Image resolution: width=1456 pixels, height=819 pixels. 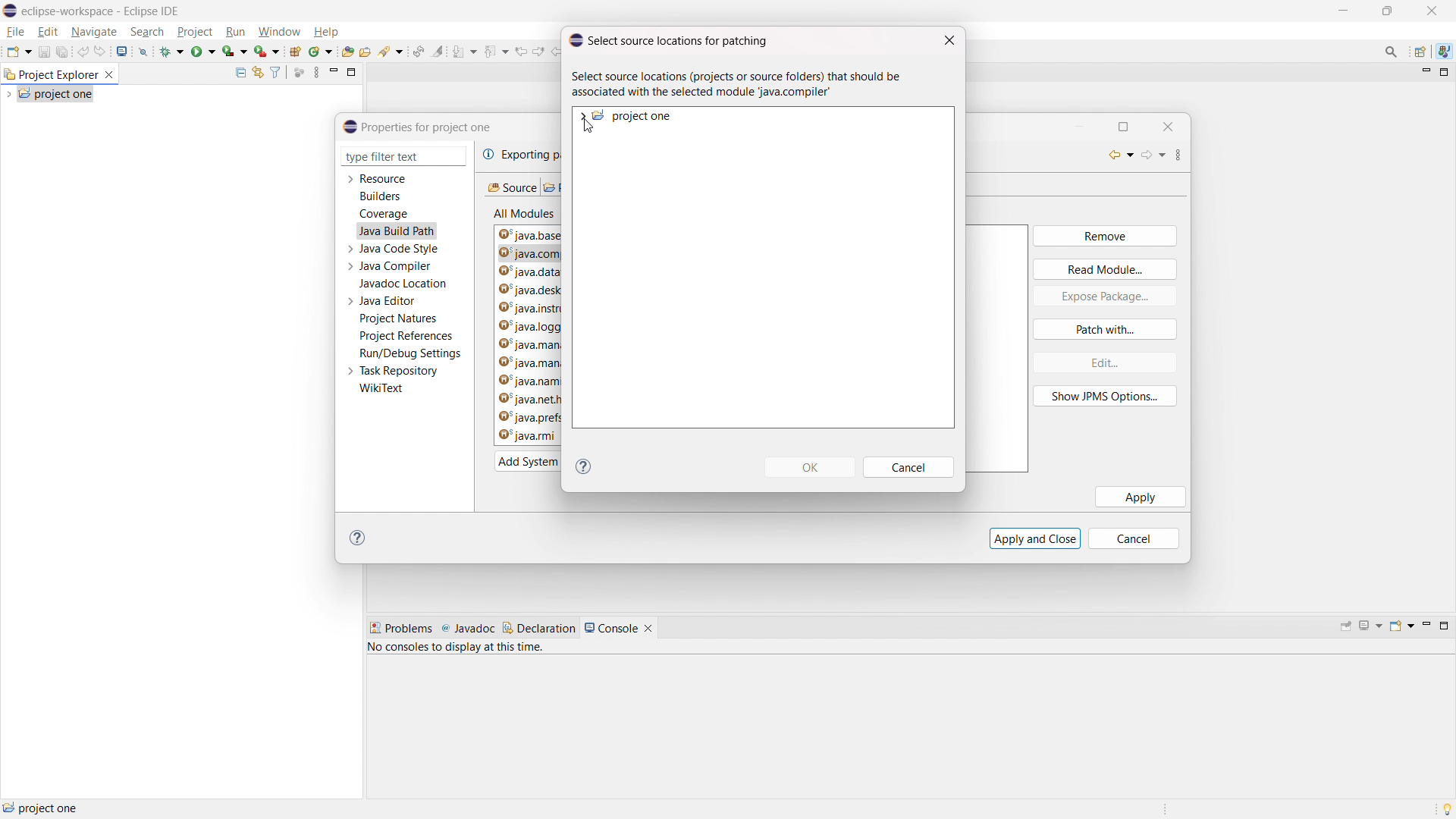 I want to click on project explorer, so click(x=50, y=74).